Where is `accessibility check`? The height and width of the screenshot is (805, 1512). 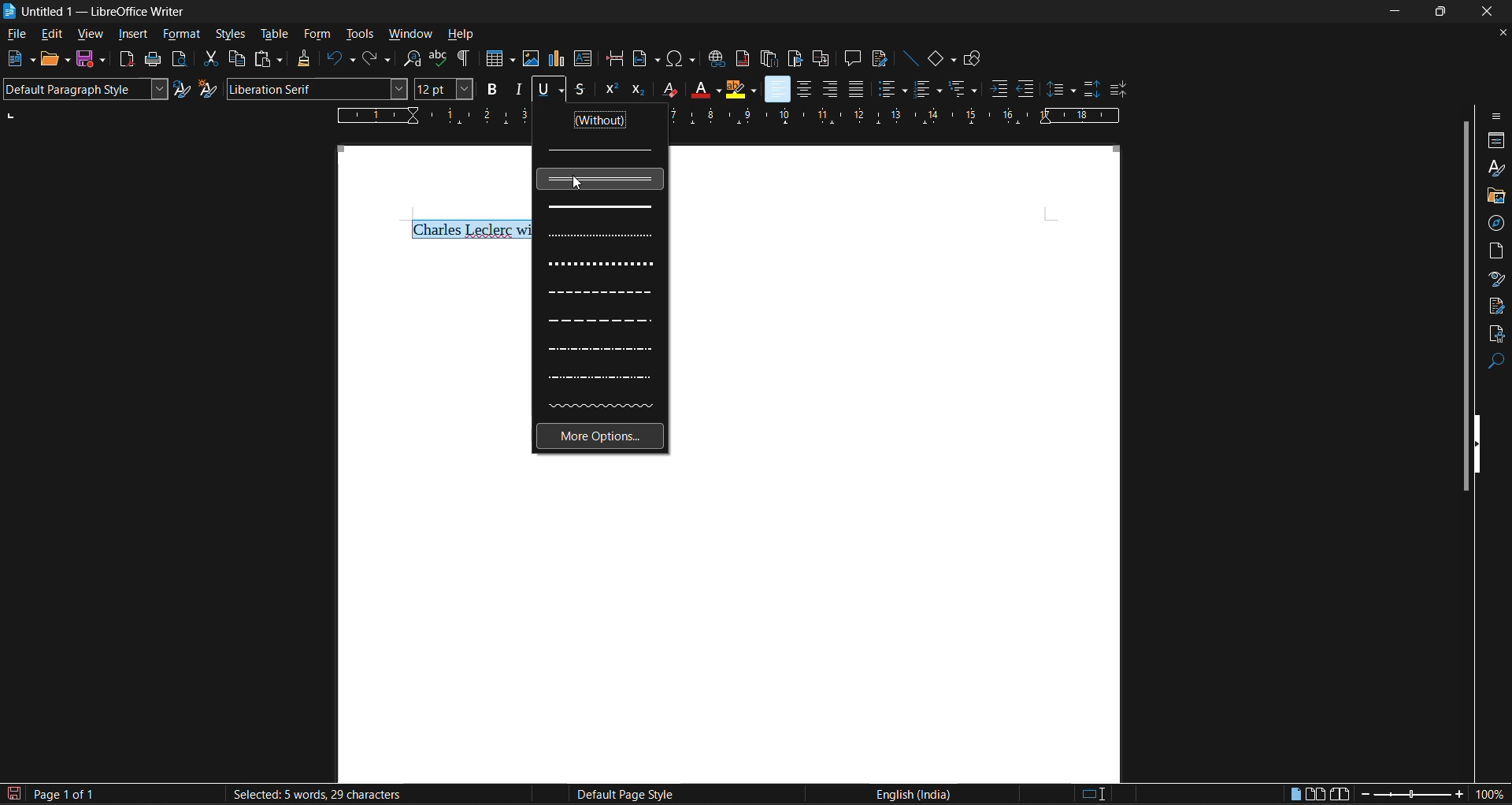 accessibility check is located at coordinates (1495, 335).